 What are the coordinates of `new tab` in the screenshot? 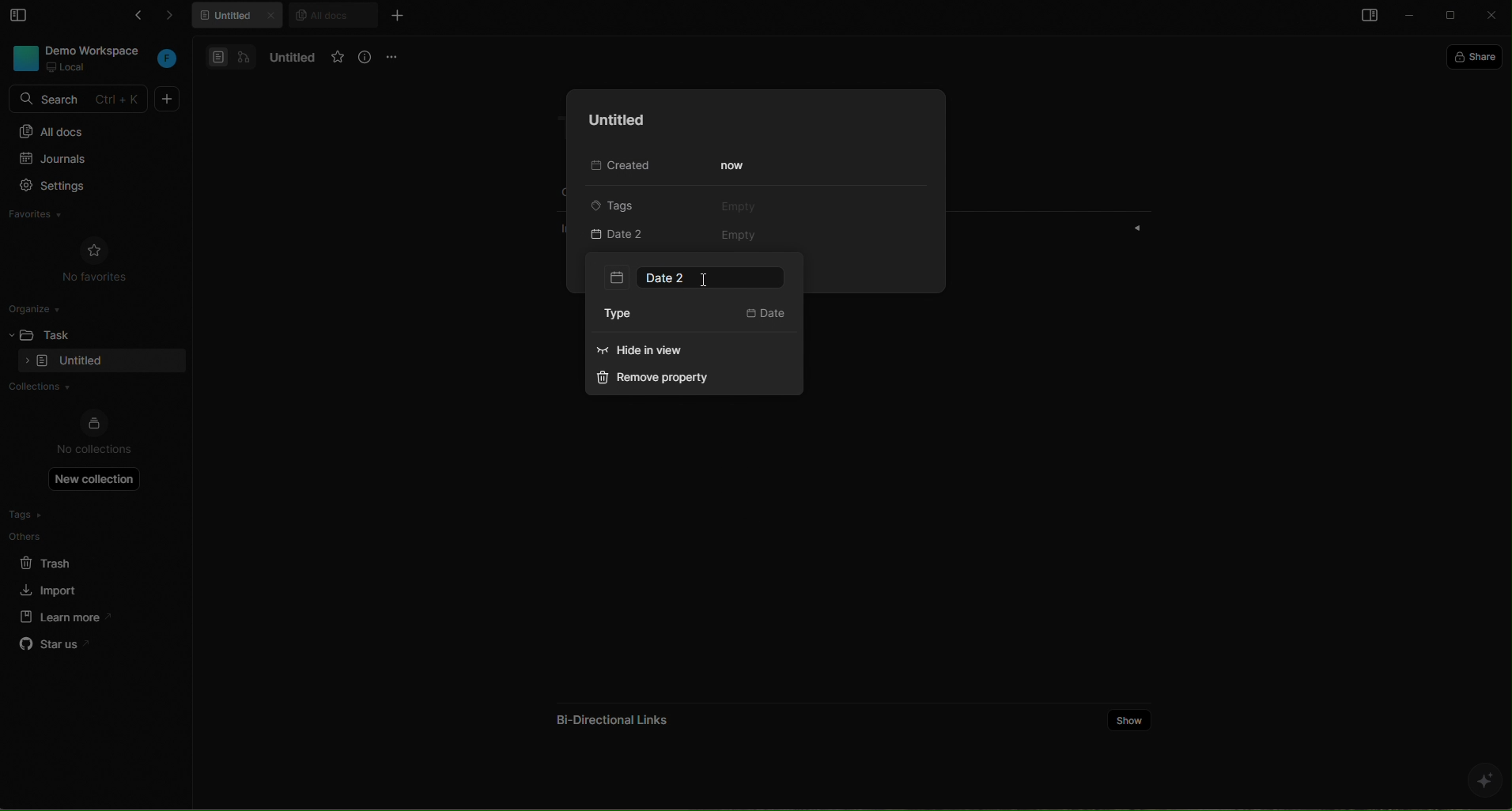 It's located at (396, 15).